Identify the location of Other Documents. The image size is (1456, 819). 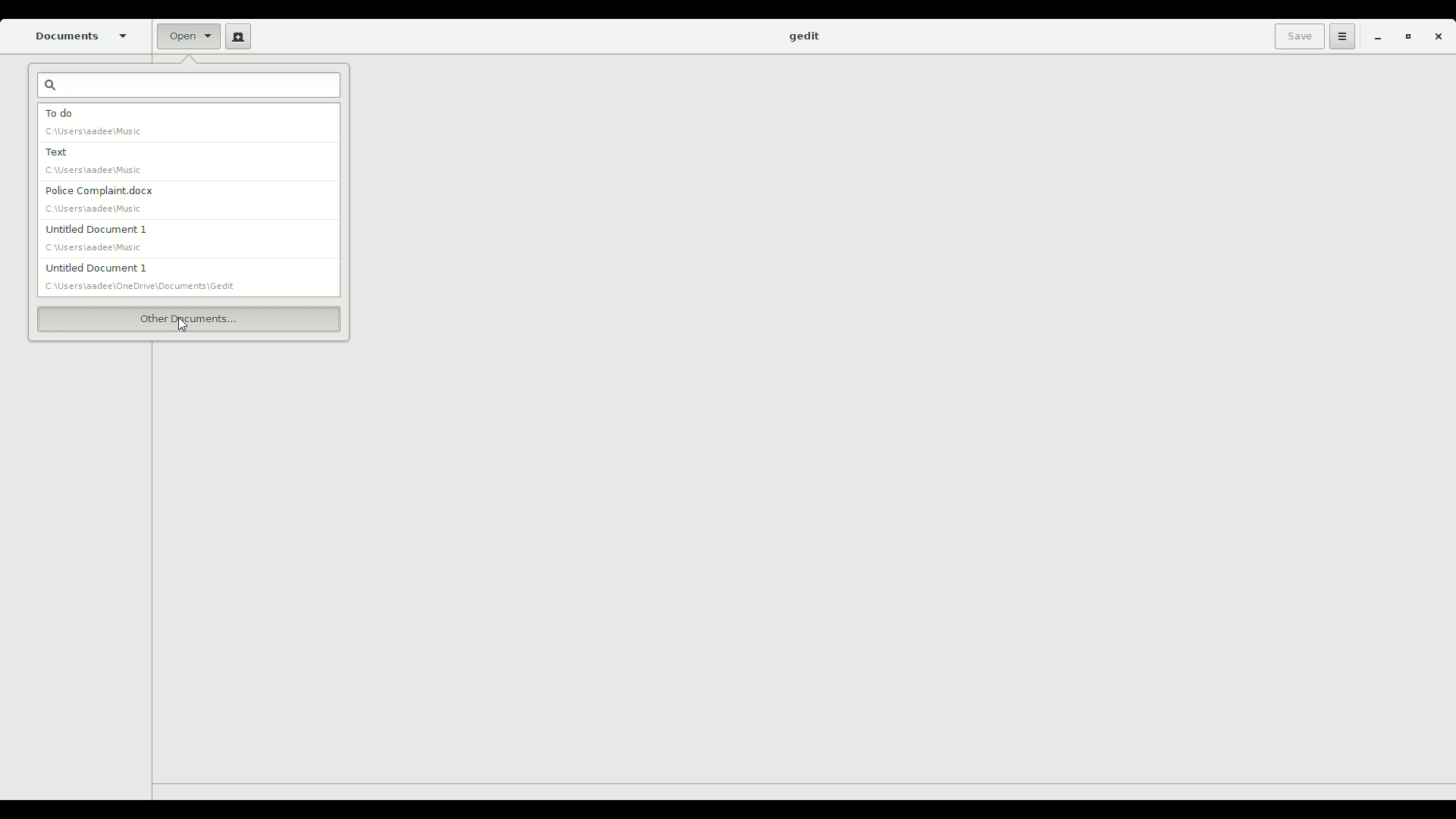
(188, 318).